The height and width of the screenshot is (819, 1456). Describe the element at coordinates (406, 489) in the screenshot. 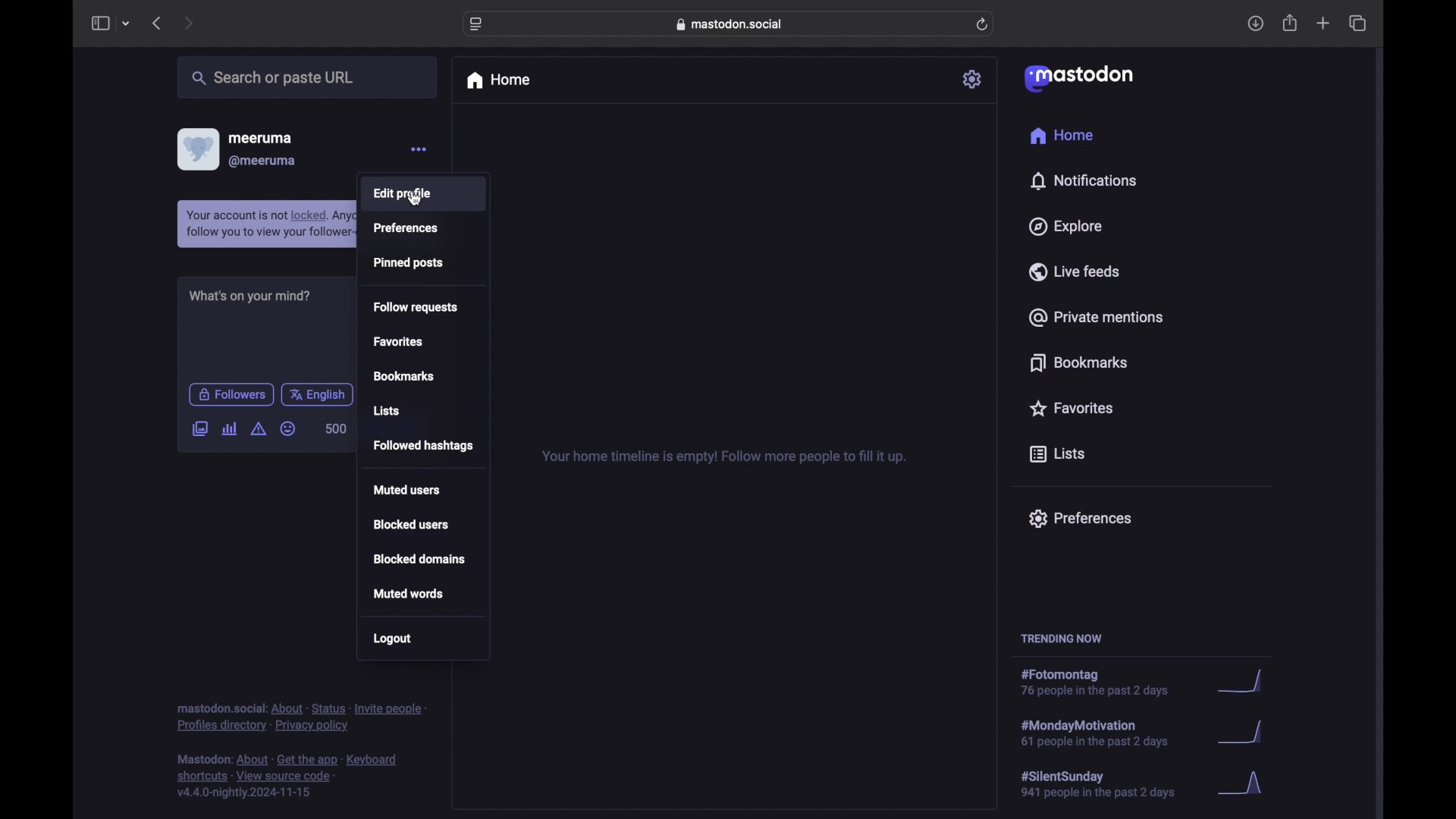

I see `muted users` at that location.